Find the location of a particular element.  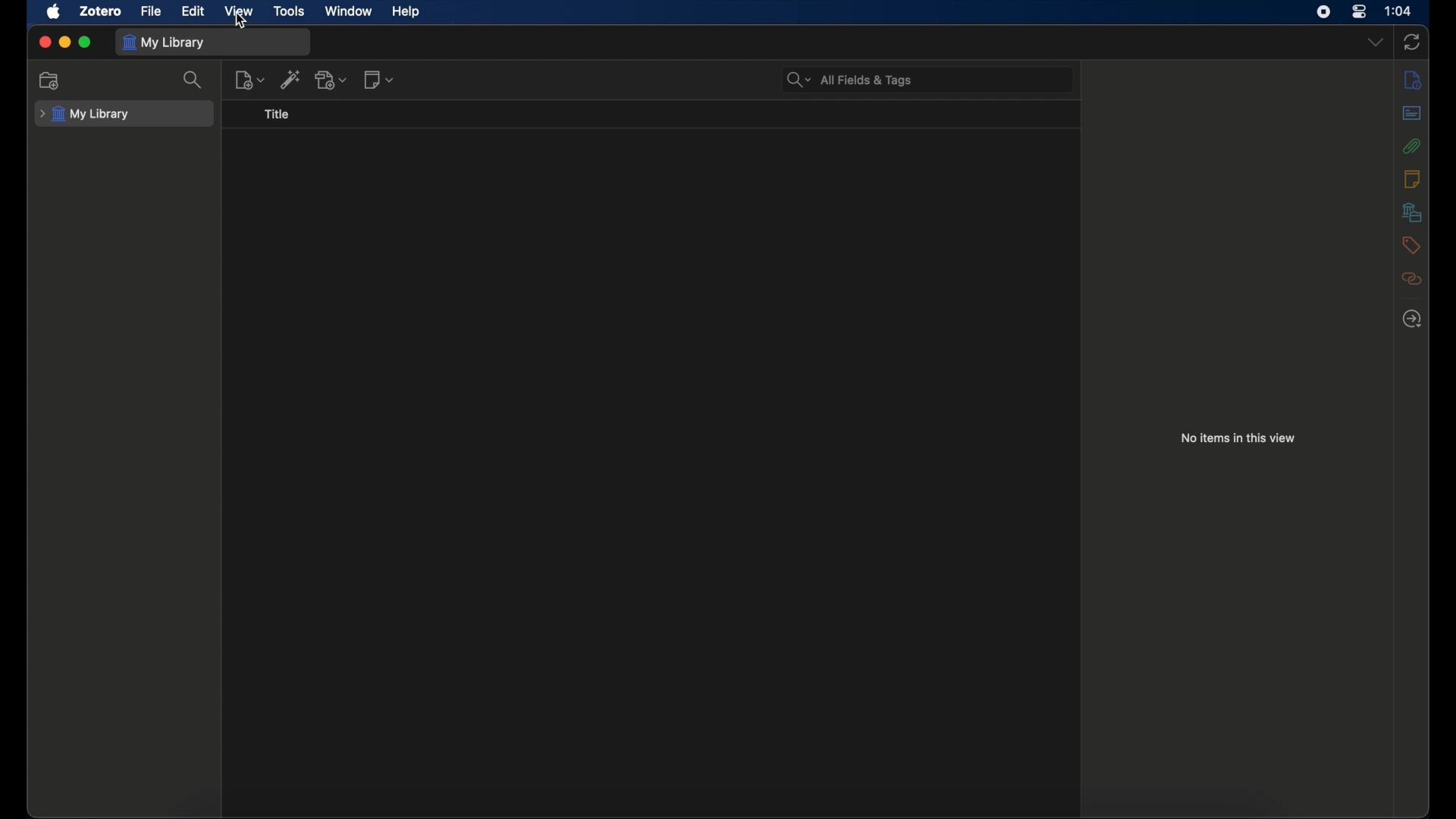

zotero is located at coordinates (102, 12).